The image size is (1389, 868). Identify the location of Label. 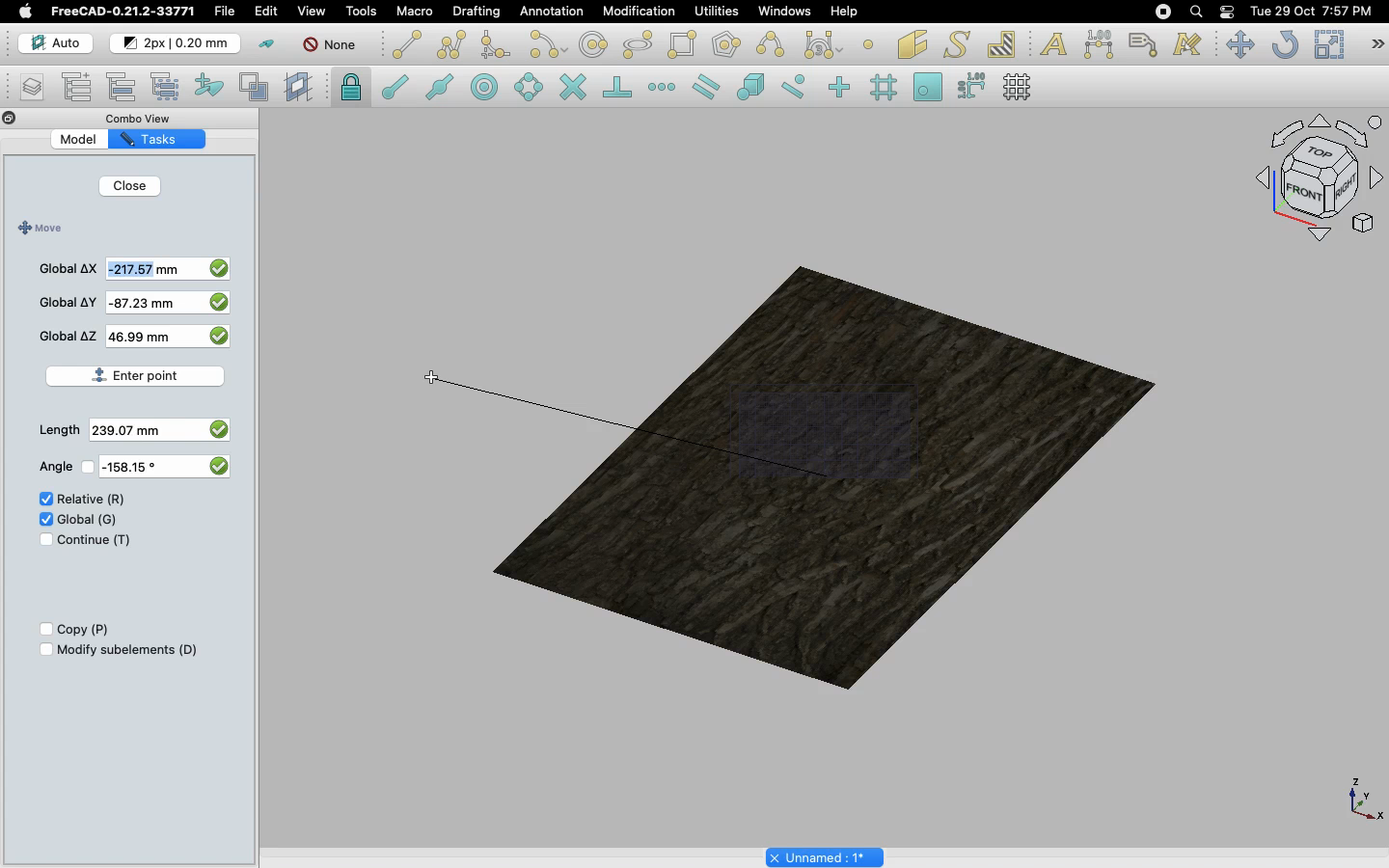
(1146, 44).